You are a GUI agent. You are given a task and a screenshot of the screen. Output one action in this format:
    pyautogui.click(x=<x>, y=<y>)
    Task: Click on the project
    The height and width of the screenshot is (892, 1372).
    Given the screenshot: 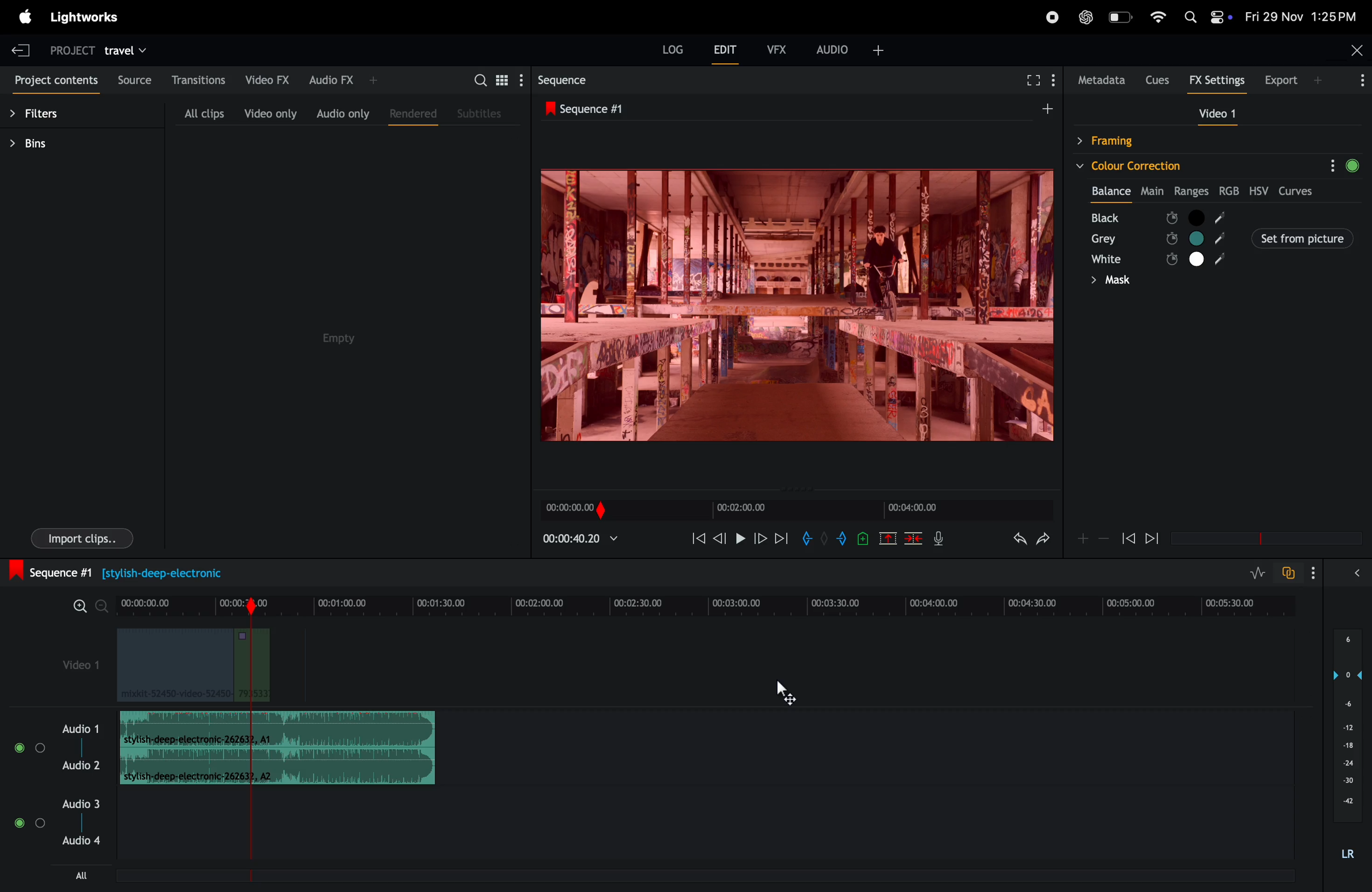 What is the action you would take?
    pyautogui.click(x=70, y=50)
    